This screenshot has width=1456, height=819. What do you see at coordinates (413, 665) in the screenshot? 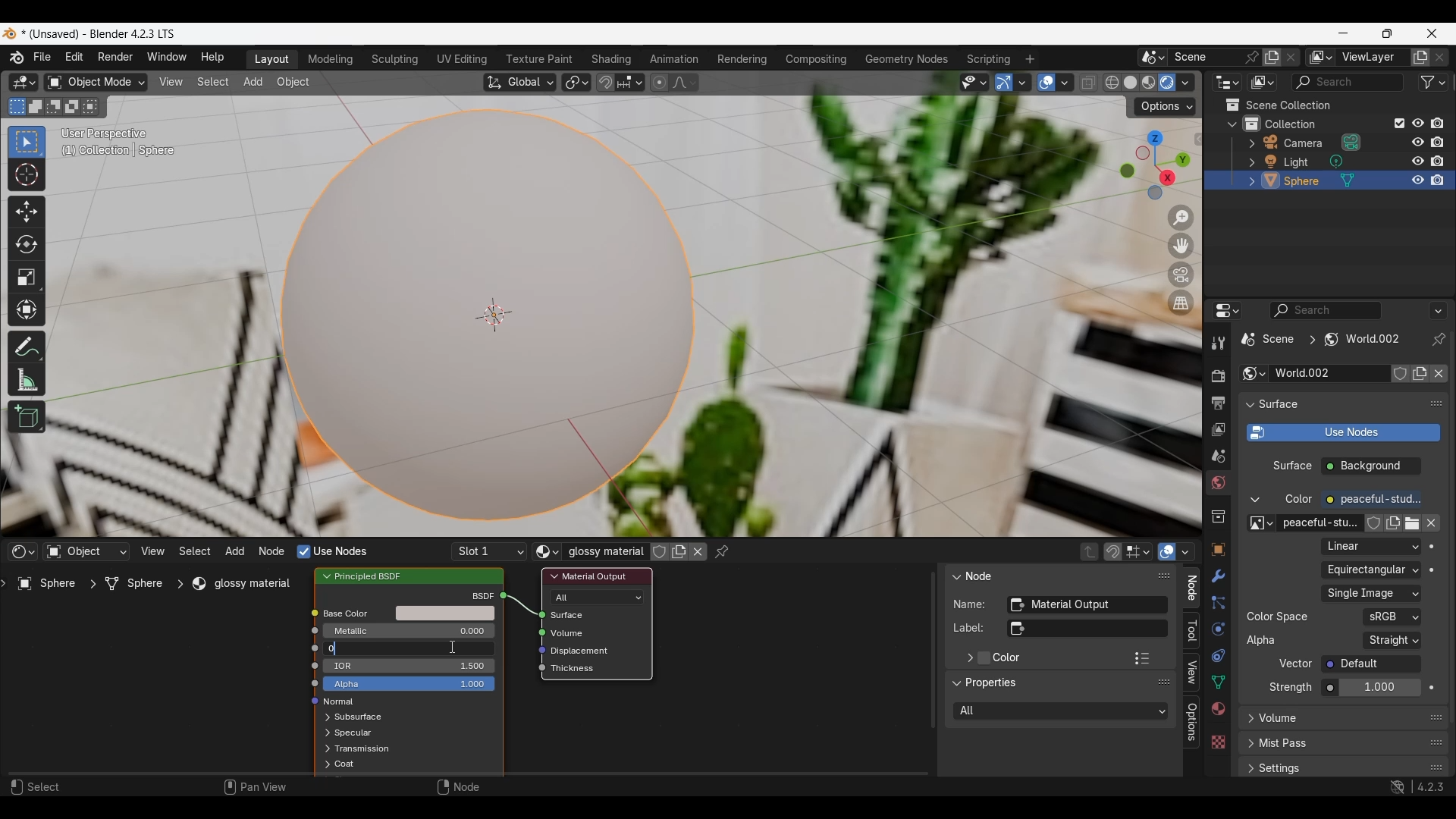
I see `IOR in base` at bounding box center [413, 665].